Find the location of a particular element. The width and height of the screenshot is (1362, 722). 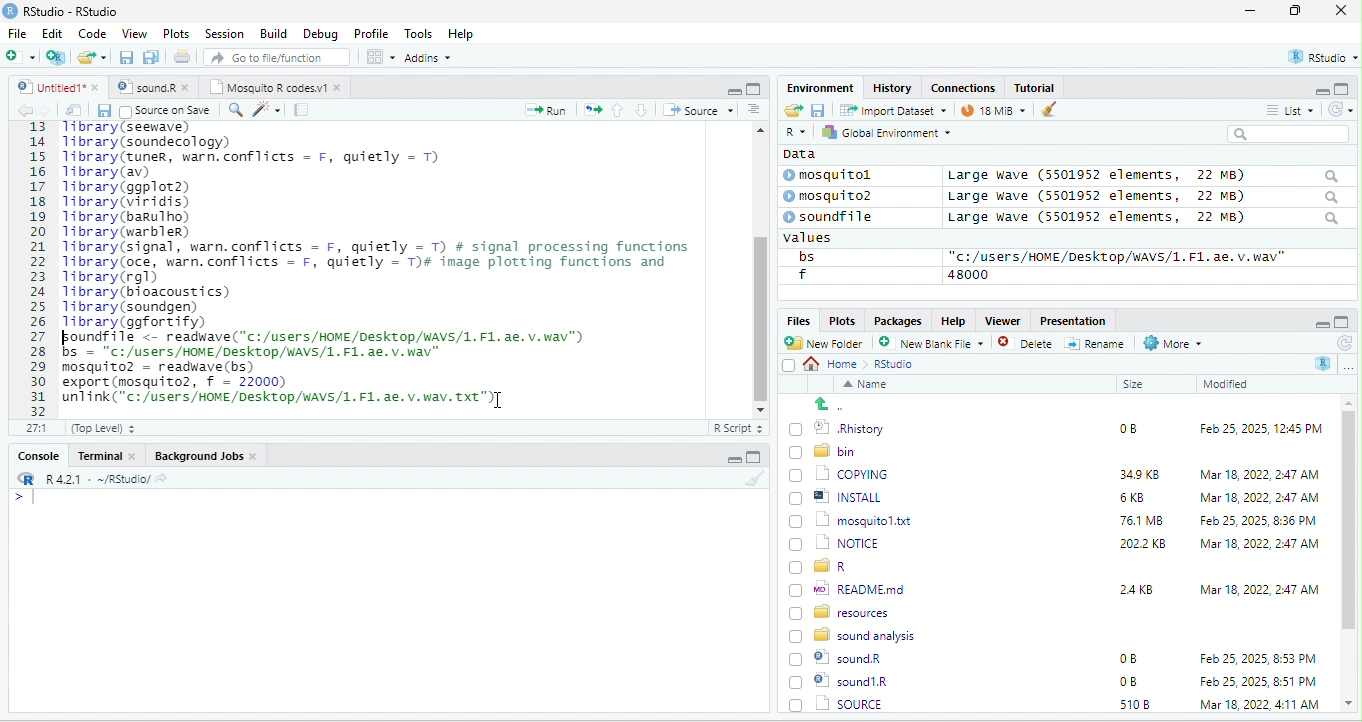

Adonns  is located at coordinates (428, 61).